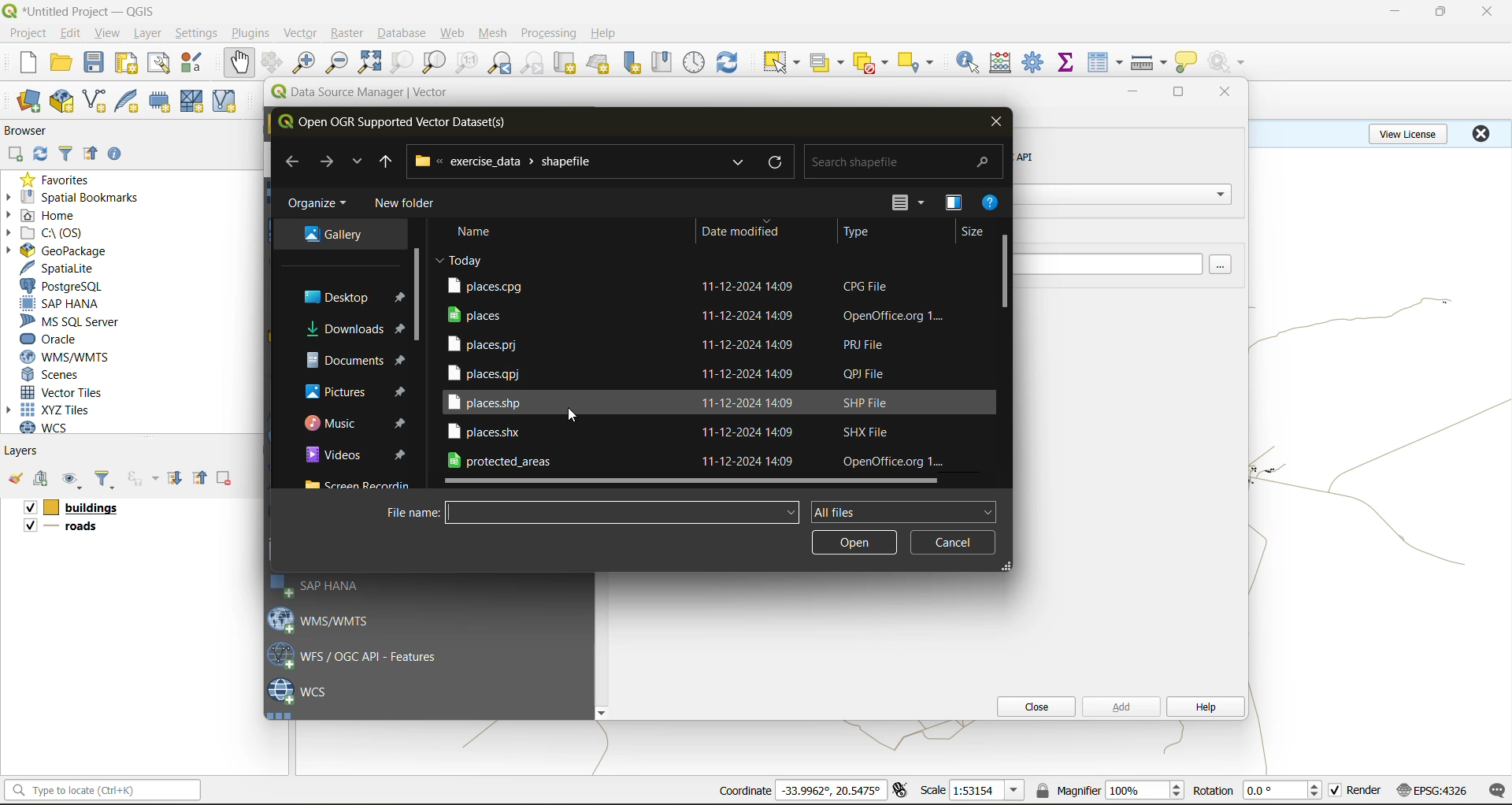 Image resolution: width=1512 pixels, height=805 pixels. I want to click on zoom next, so click(535, 63).